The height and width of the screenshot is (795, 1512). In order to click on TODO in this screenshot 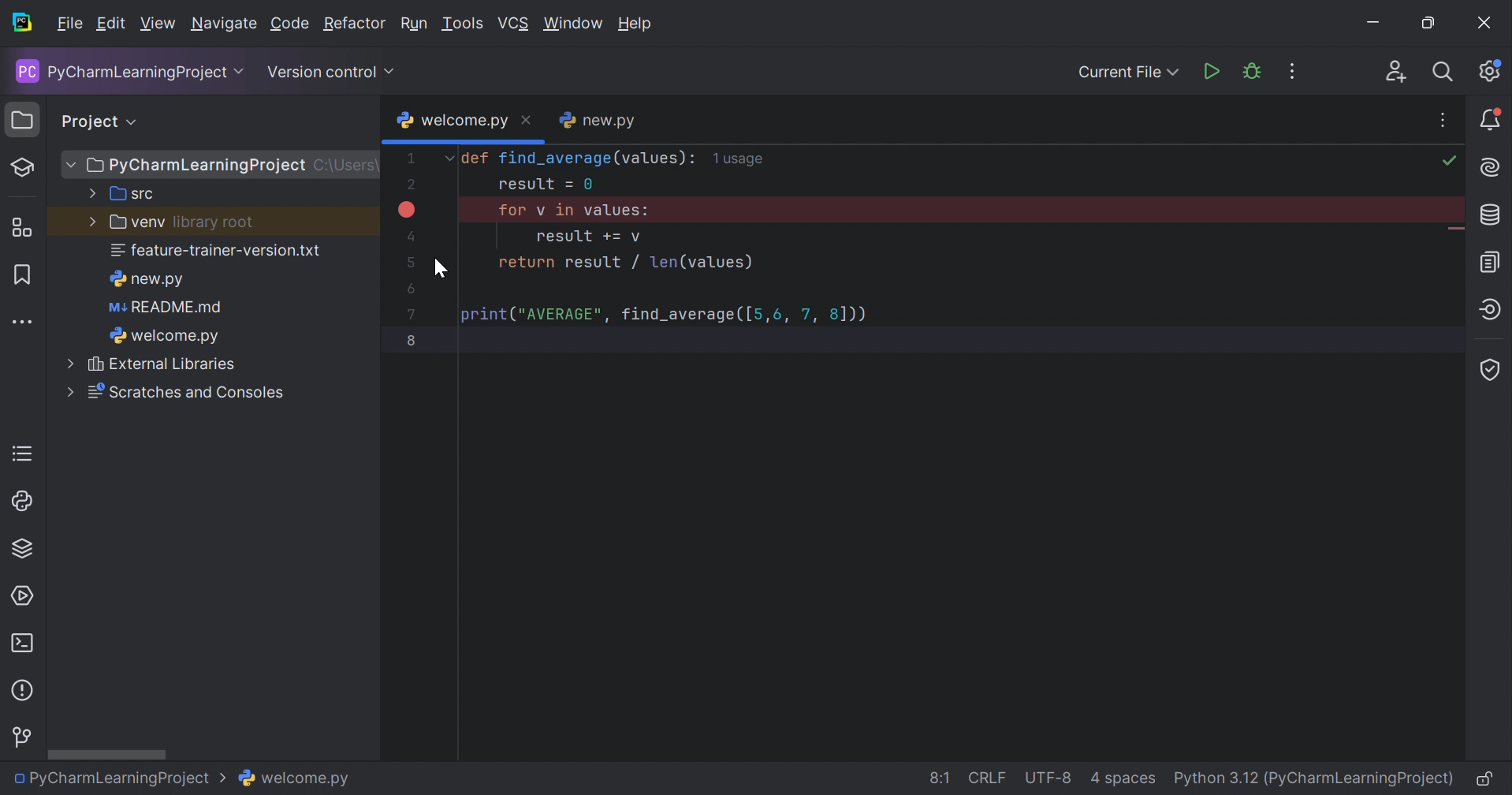, I will do `click(23, 451)`.